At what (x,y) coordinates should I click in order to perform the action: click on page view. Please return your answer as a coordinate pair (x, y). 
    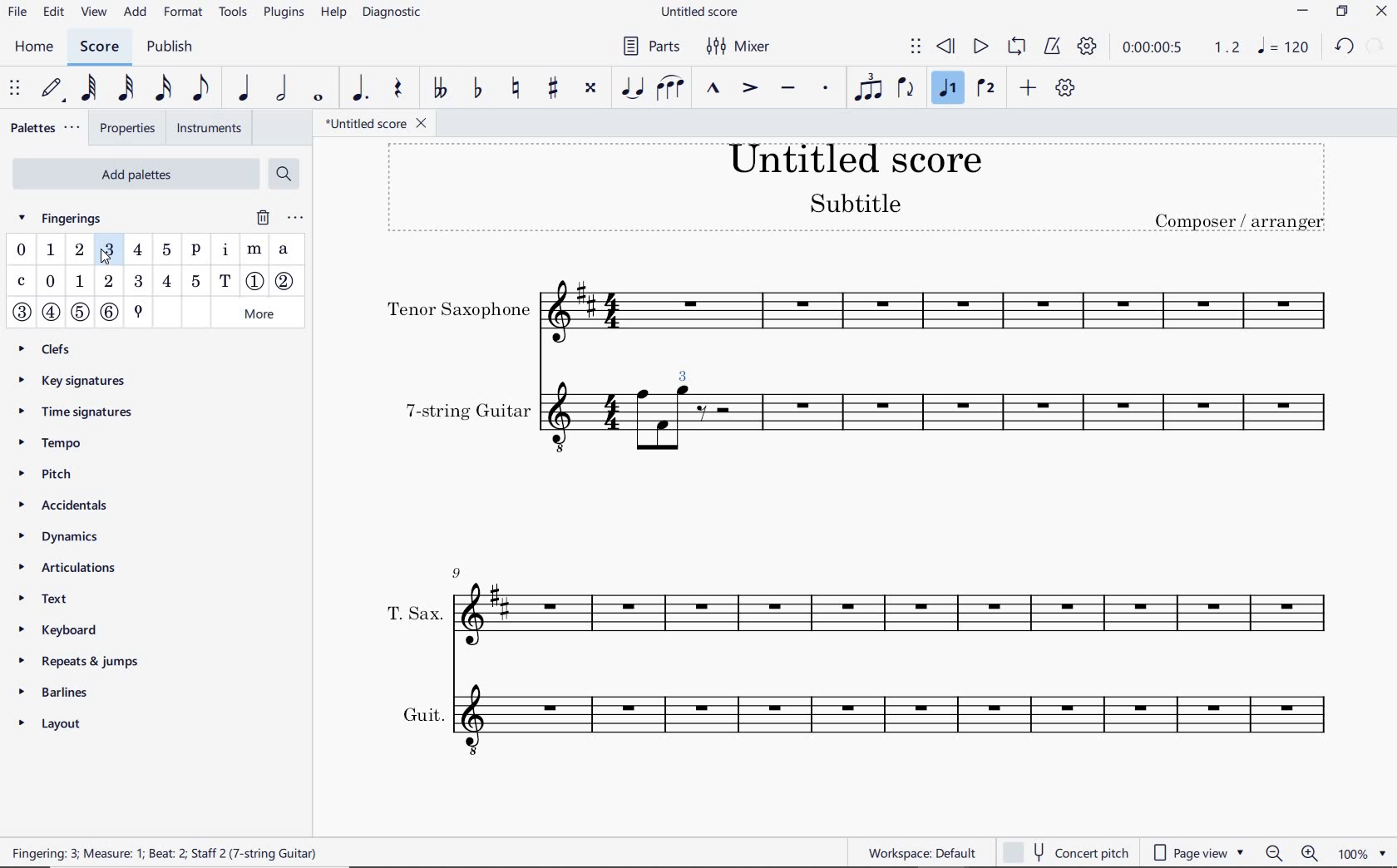
    Looking at the image, I should click on (1193, 851).